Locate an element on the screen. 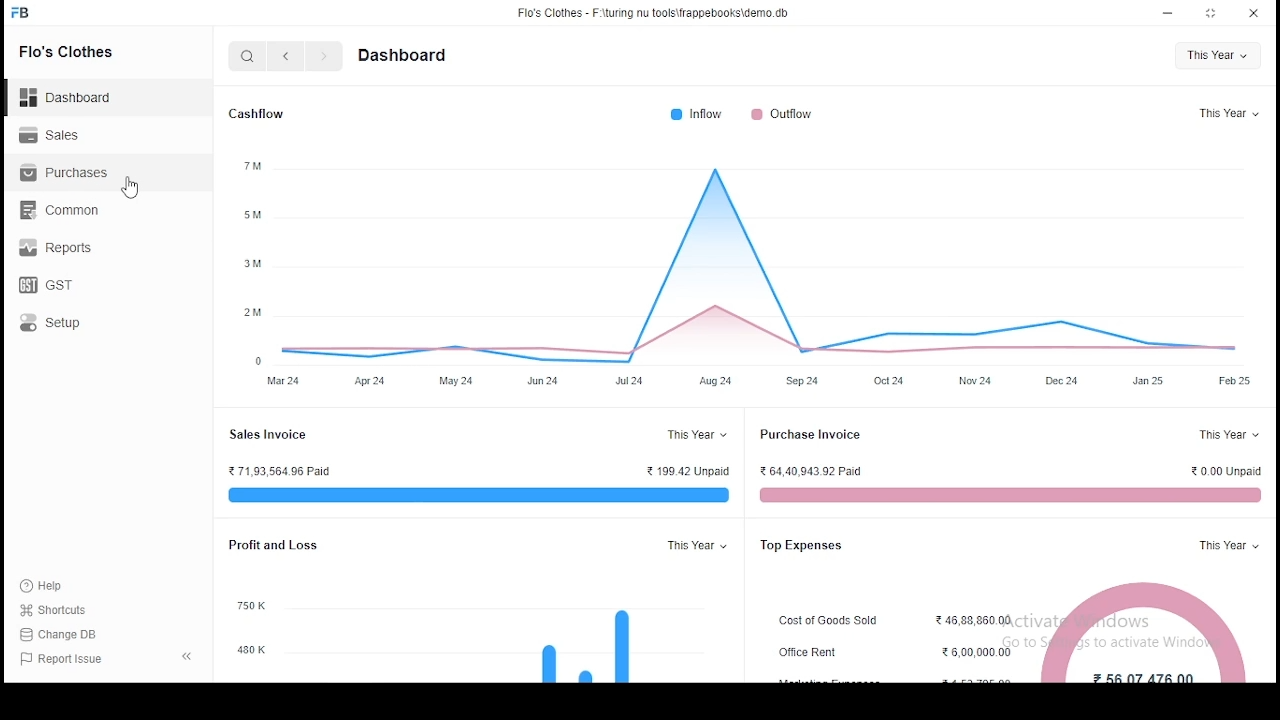 Image resolution: width=1280 pixels, height=720 pixels. 199.42 unpaid is located at coordinates (688, 471).